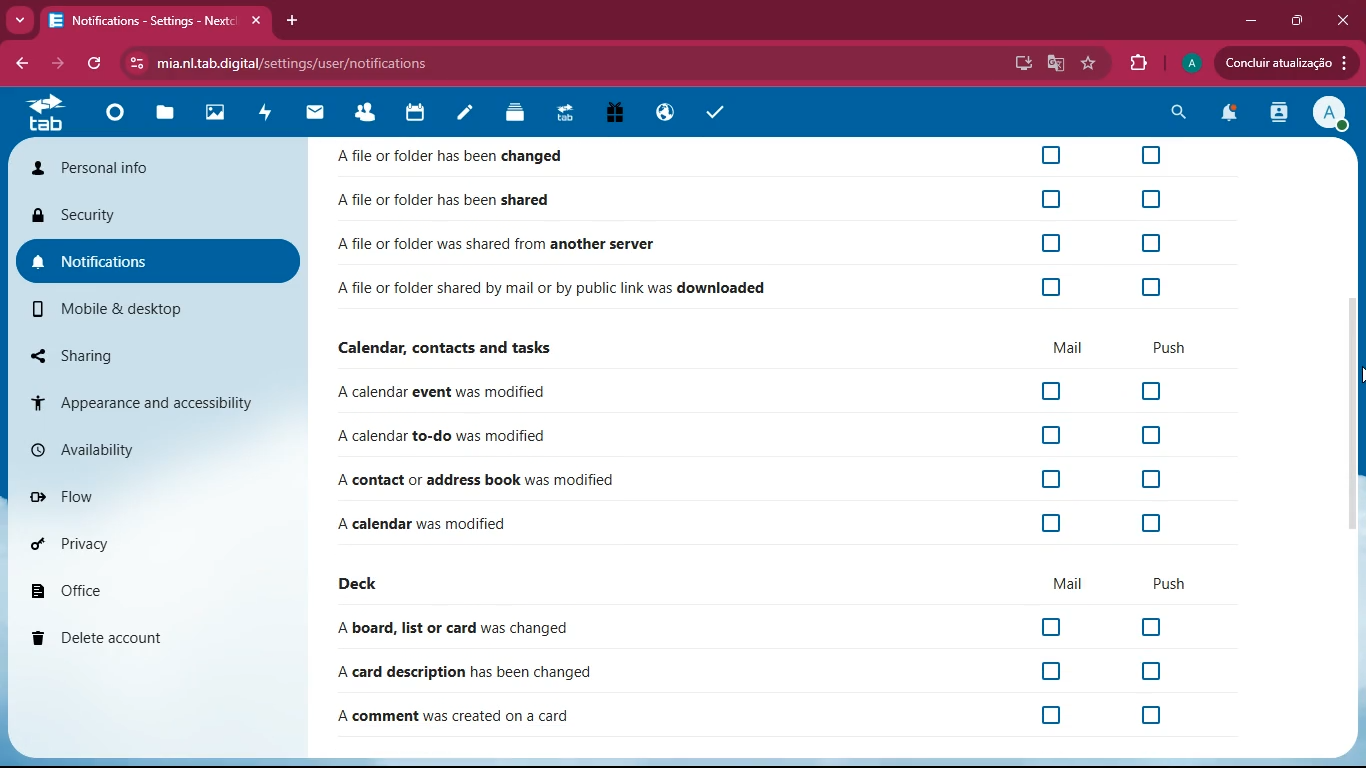  I want to click on files, so click(167, 115).